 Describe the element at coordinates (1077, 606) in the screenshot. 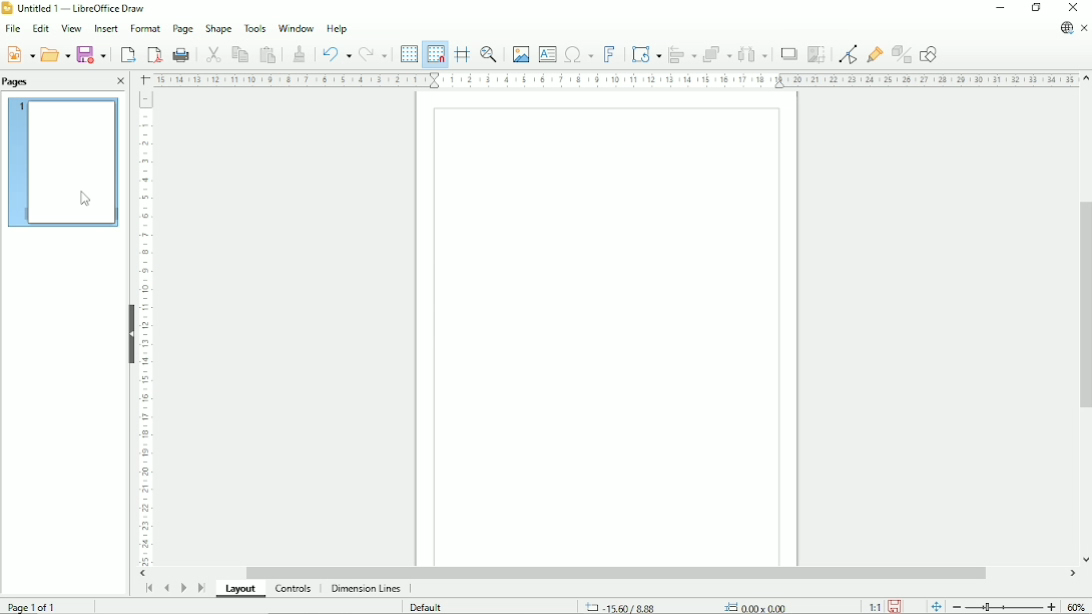

I see `Zoom factor` at that location.